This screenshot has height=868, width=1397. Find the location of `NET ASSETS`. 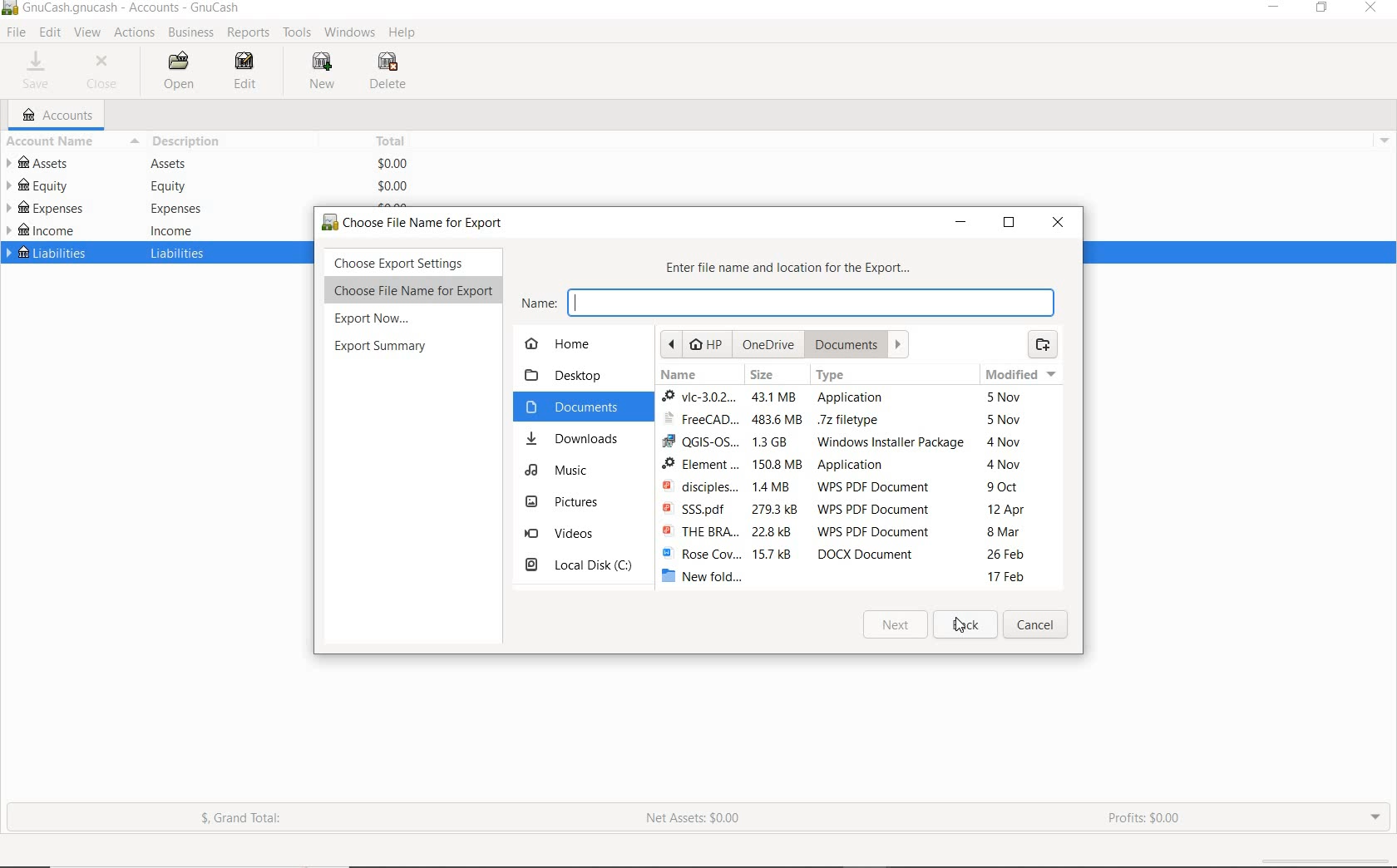

NET ASSETS is located at coordinates (697, 821).